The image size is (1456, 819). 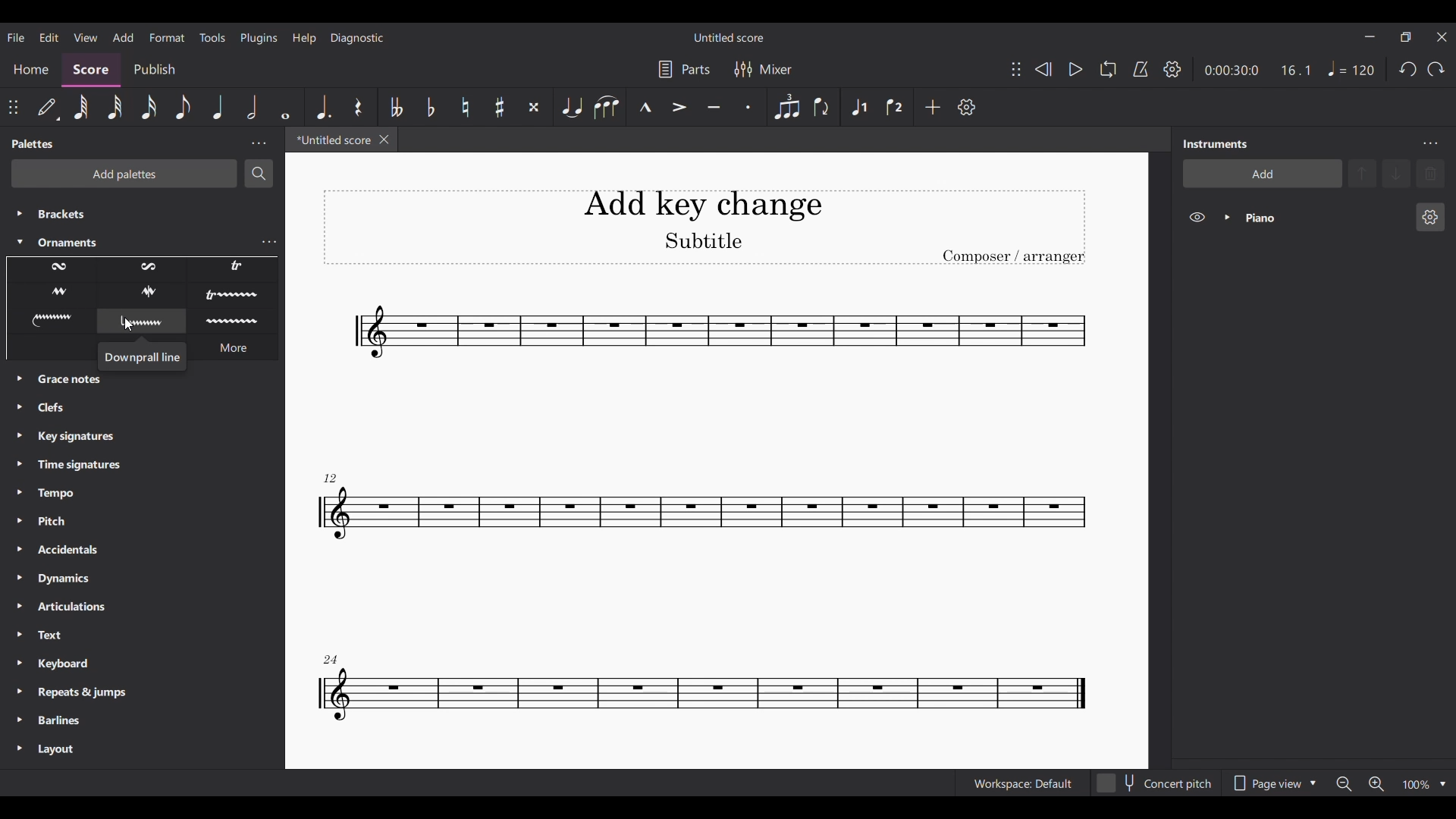 What do you see at coordinates (1141, 69) in the screenshot?
I see `Metronome` at bounding box center [1141, 69].